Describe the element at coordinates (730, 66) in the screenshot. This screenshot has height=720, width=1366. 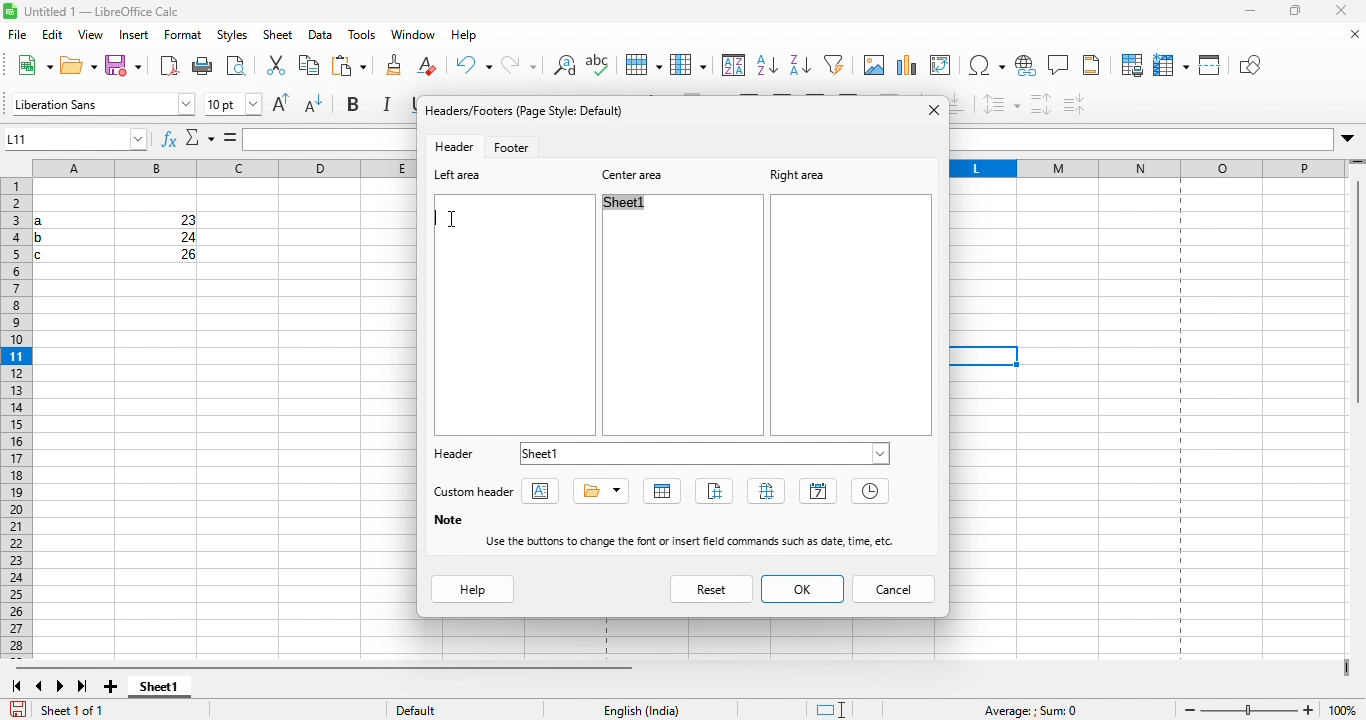
I see `sort ascending` at that location.